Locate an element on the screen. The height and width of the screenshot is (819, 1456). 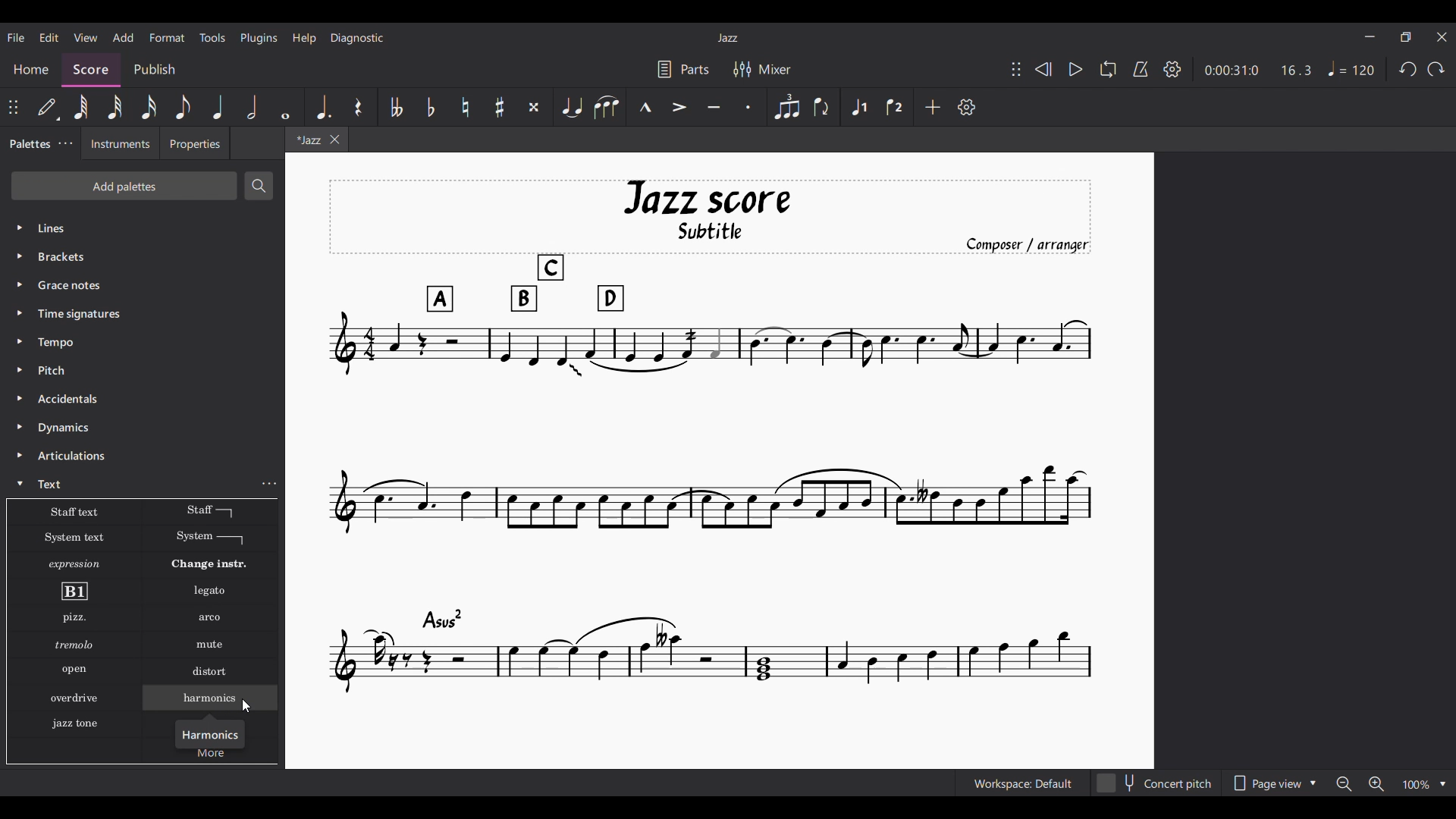
Toggle double sharp is located at coordinates (534, 106).